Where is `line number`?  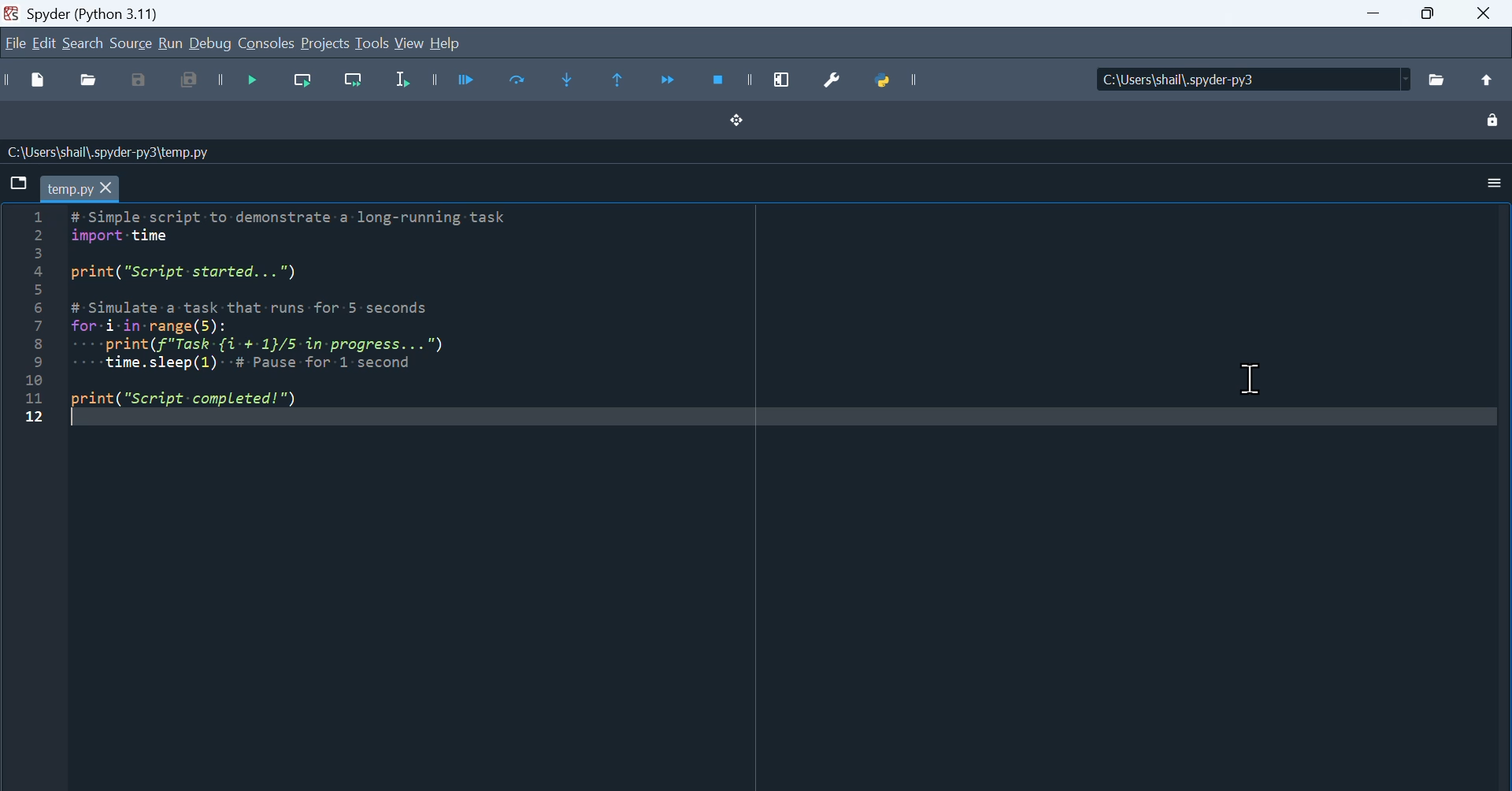 line number is located at coordinates (31, 318).